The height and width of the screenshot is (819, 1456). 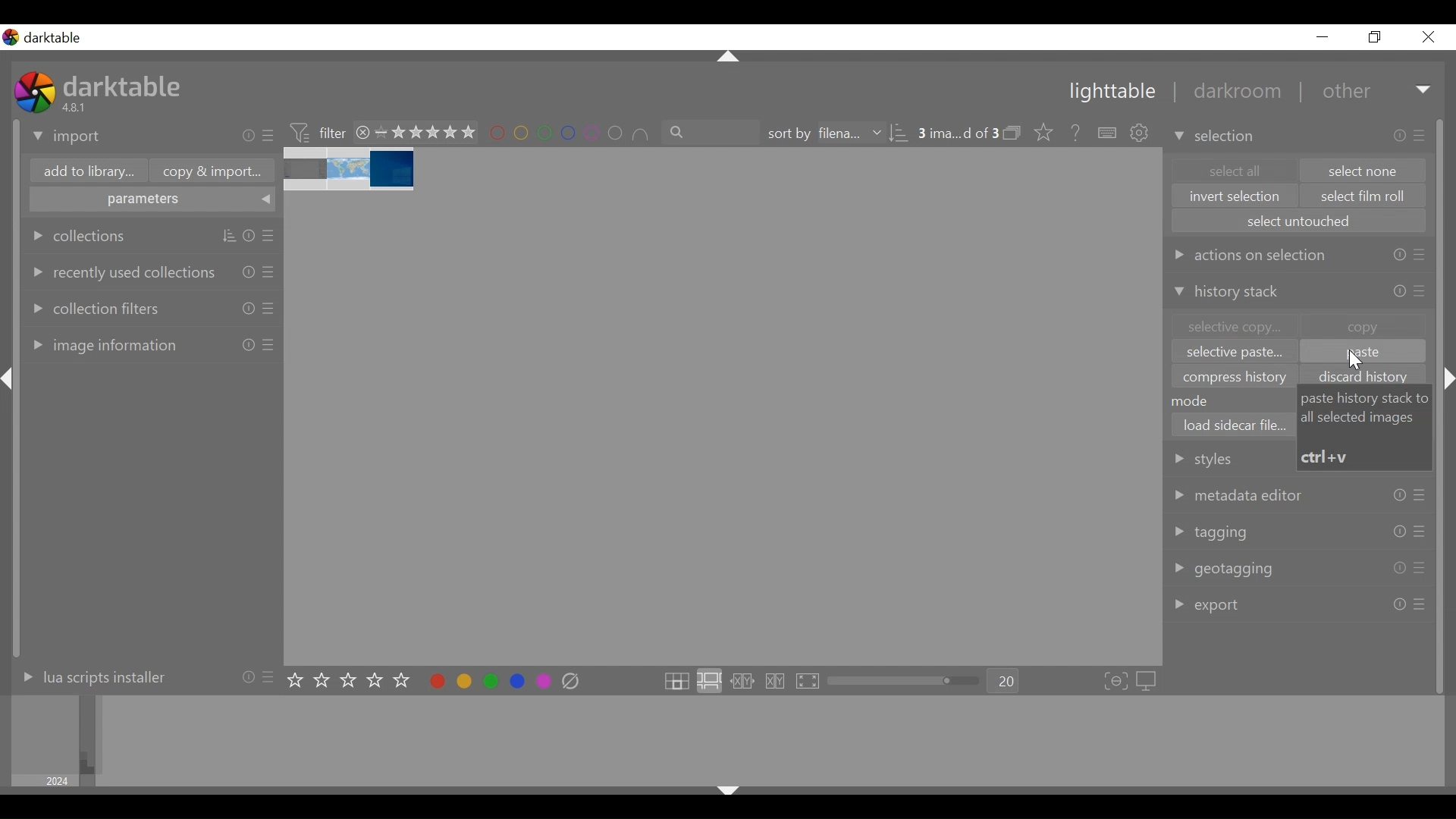 I want to click on set star rating, so click(x=353, y=681).